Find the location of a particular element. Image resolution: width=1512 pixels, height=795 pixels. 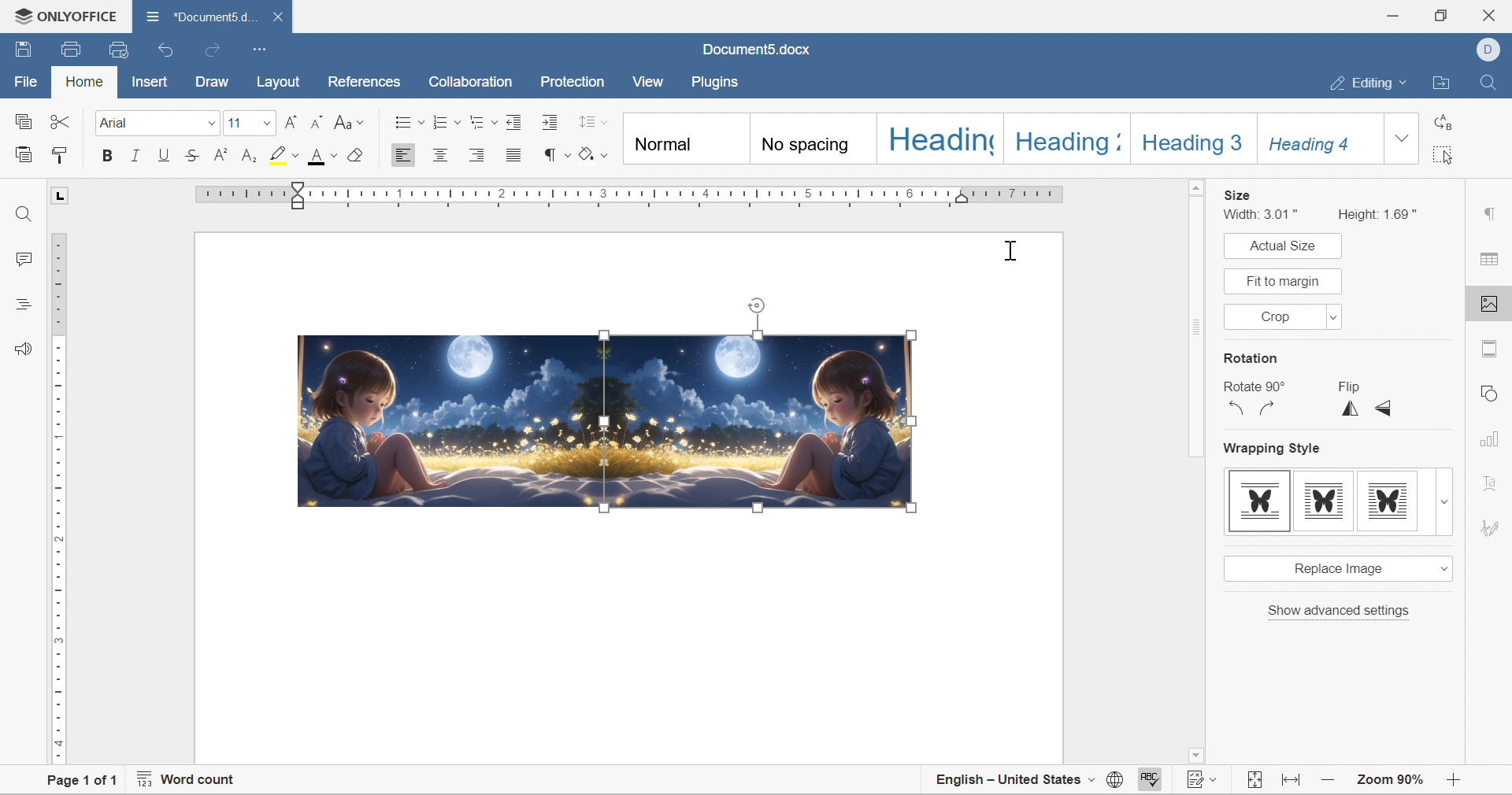

fit to margin is located at coordinates (1283, 280).